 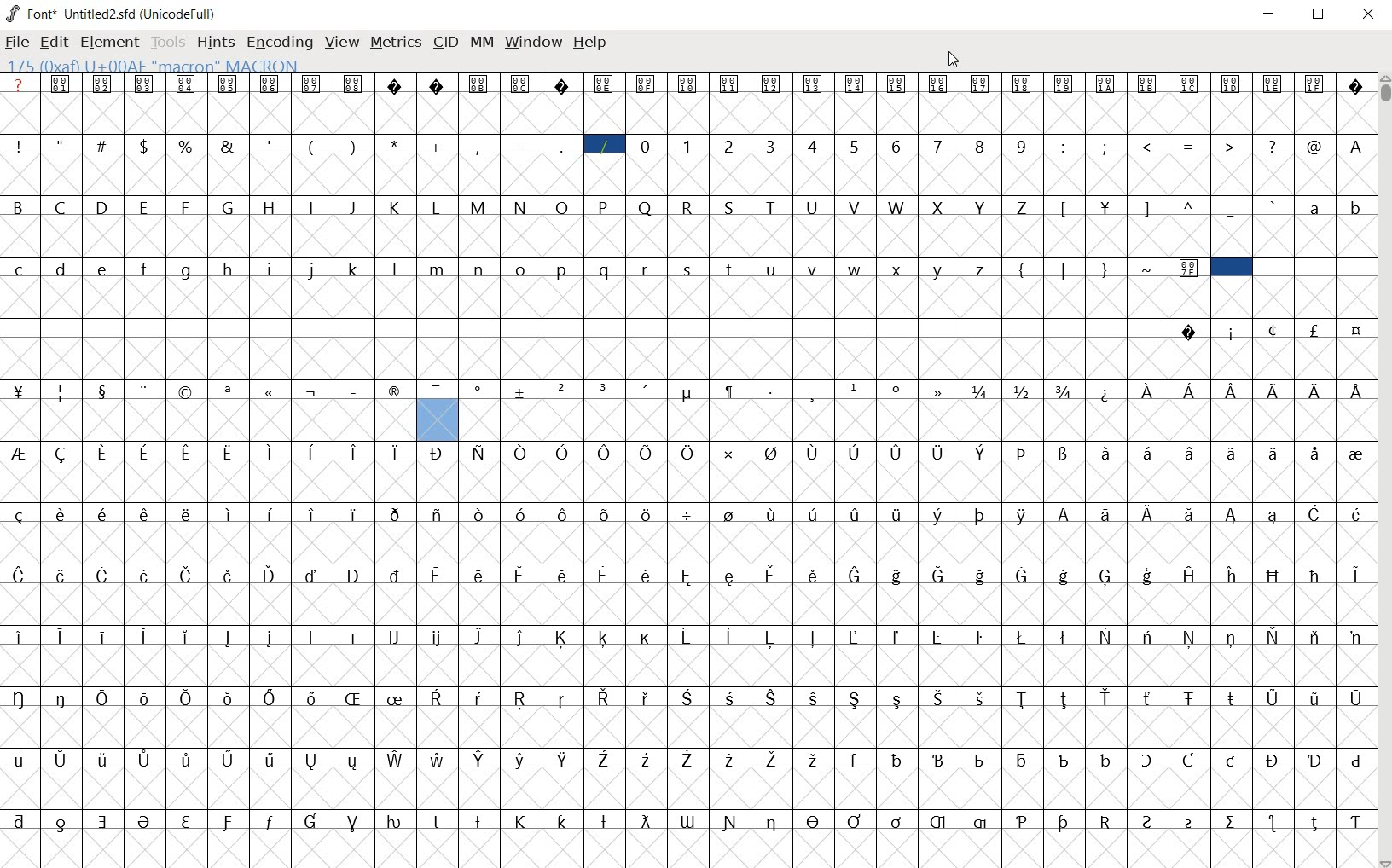 What do you see at coordinates (937, 451) in the screenshot?
I see `Symbol` at bounding box center [937, 451].